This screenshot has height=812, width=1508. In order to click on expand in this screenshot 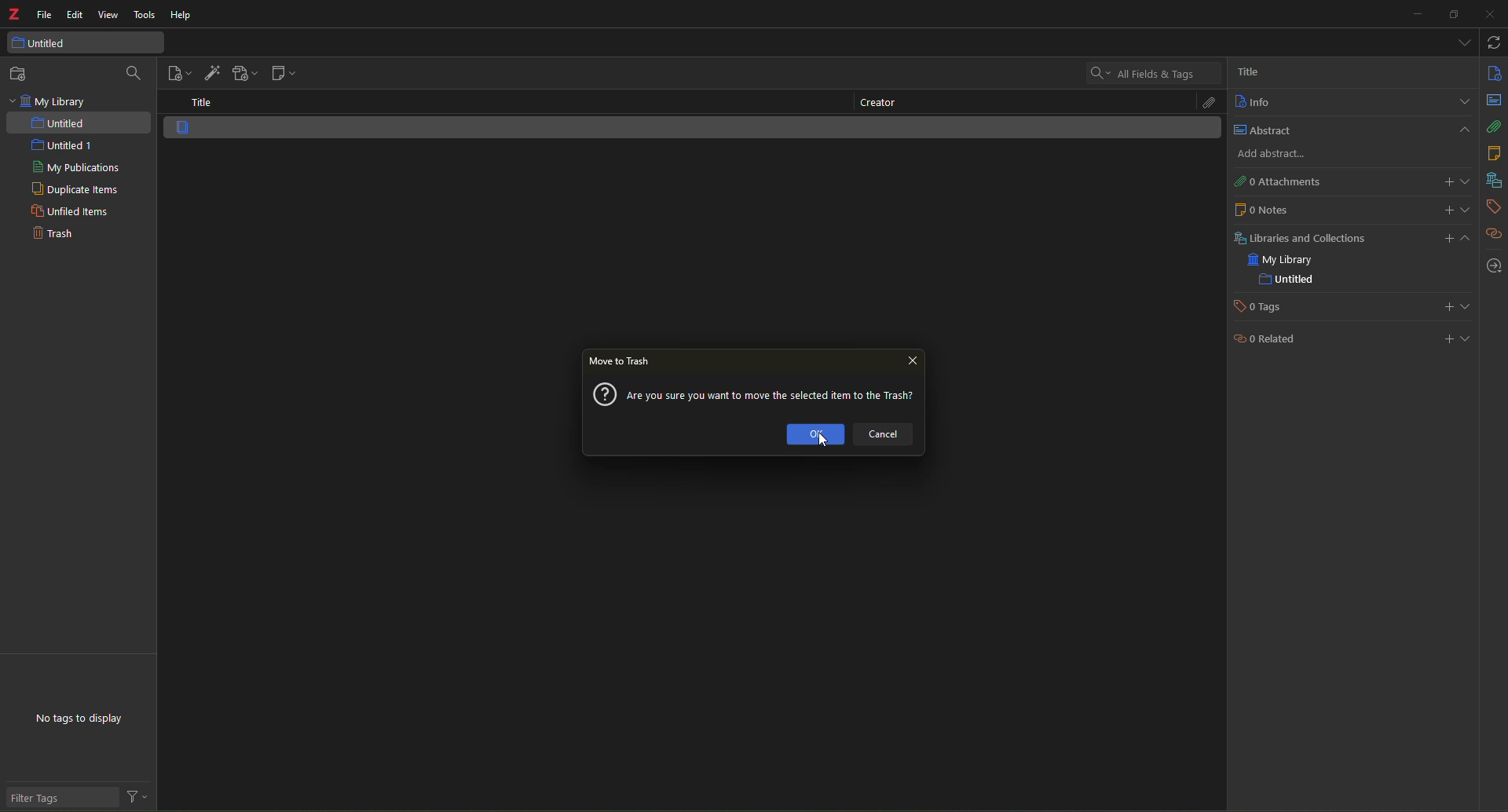, I will do `click(1469, 338)`.